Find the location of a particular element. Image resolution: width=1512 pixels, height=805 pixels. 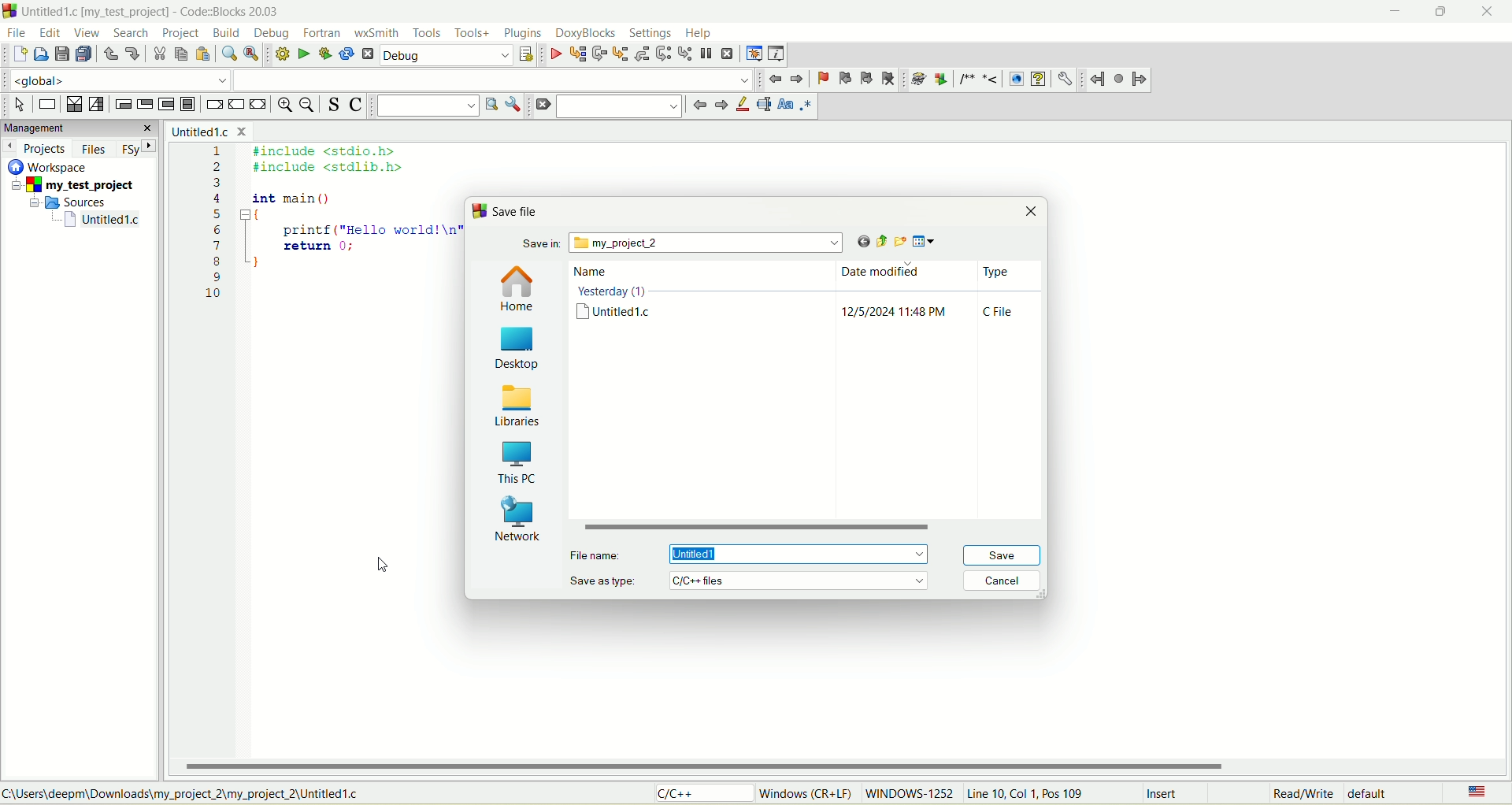

maximize is located at coordinates (1436, 16).